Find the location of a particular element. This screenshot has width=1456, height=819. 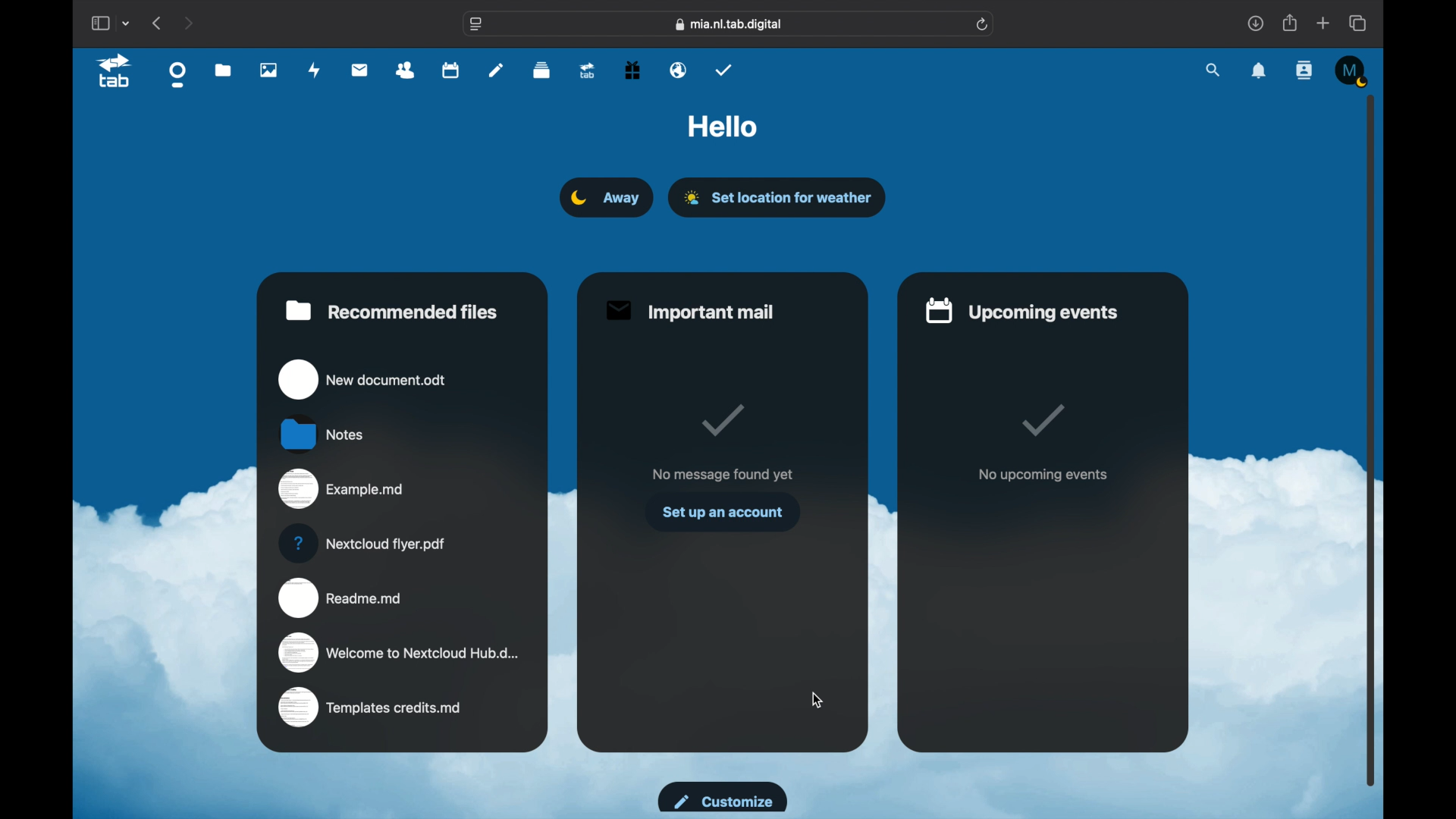

no upcoming events is located at coordinates (1043, 475).